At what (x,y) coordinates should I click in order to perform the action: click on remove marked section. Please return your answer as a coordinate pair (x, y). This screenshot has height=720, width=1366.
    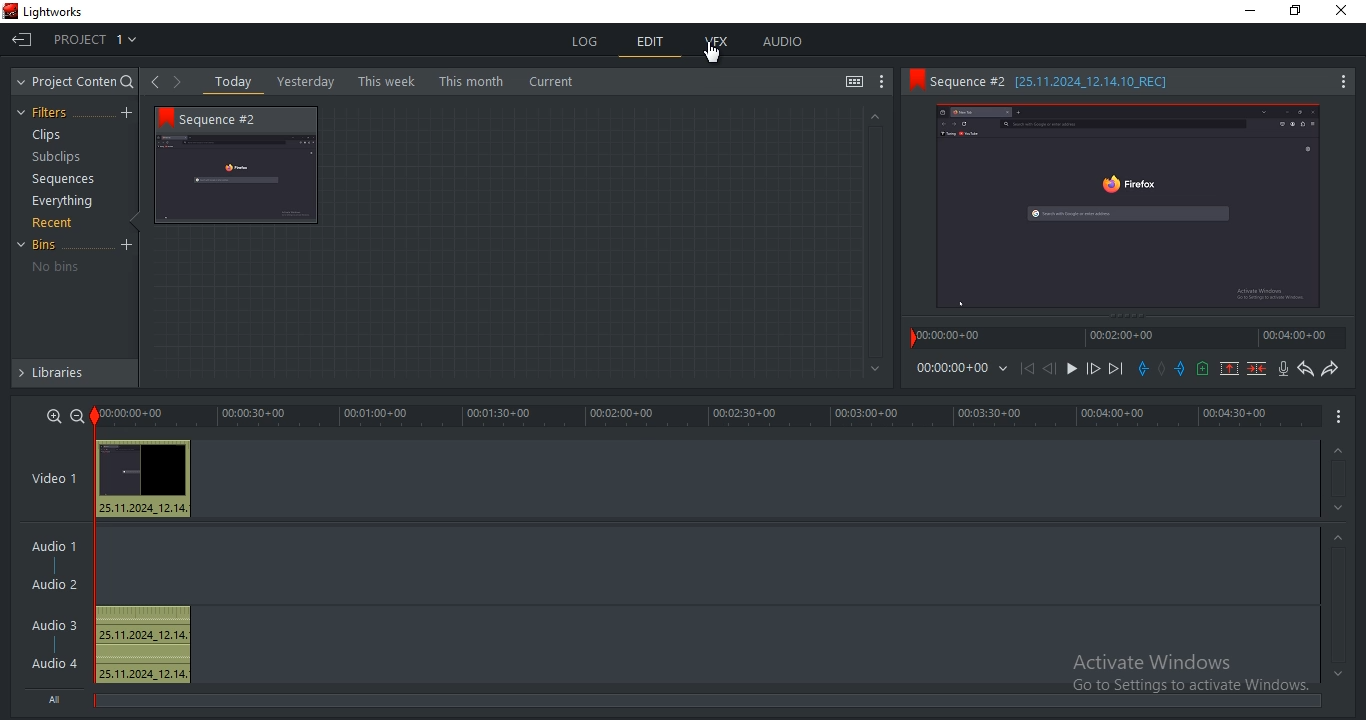
    Looking at the image, I should click on (1229, 369).